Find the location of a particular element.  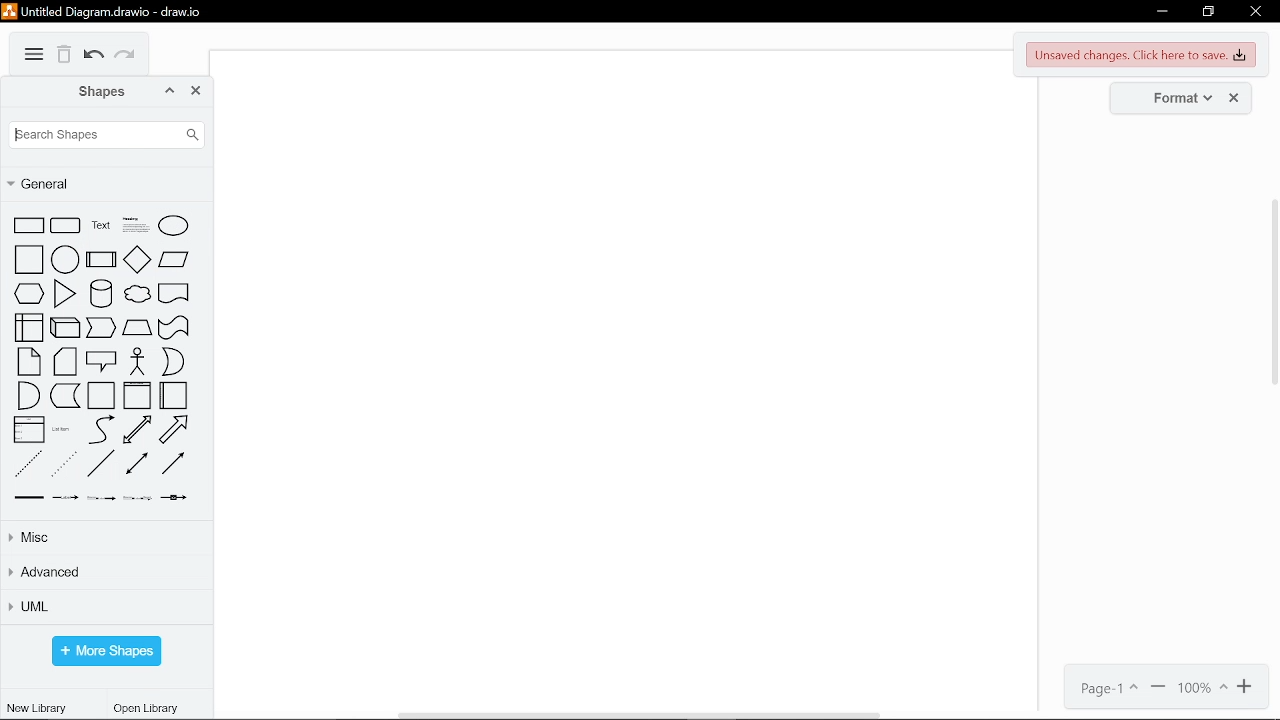

heading is located at coordinates (133, 227).